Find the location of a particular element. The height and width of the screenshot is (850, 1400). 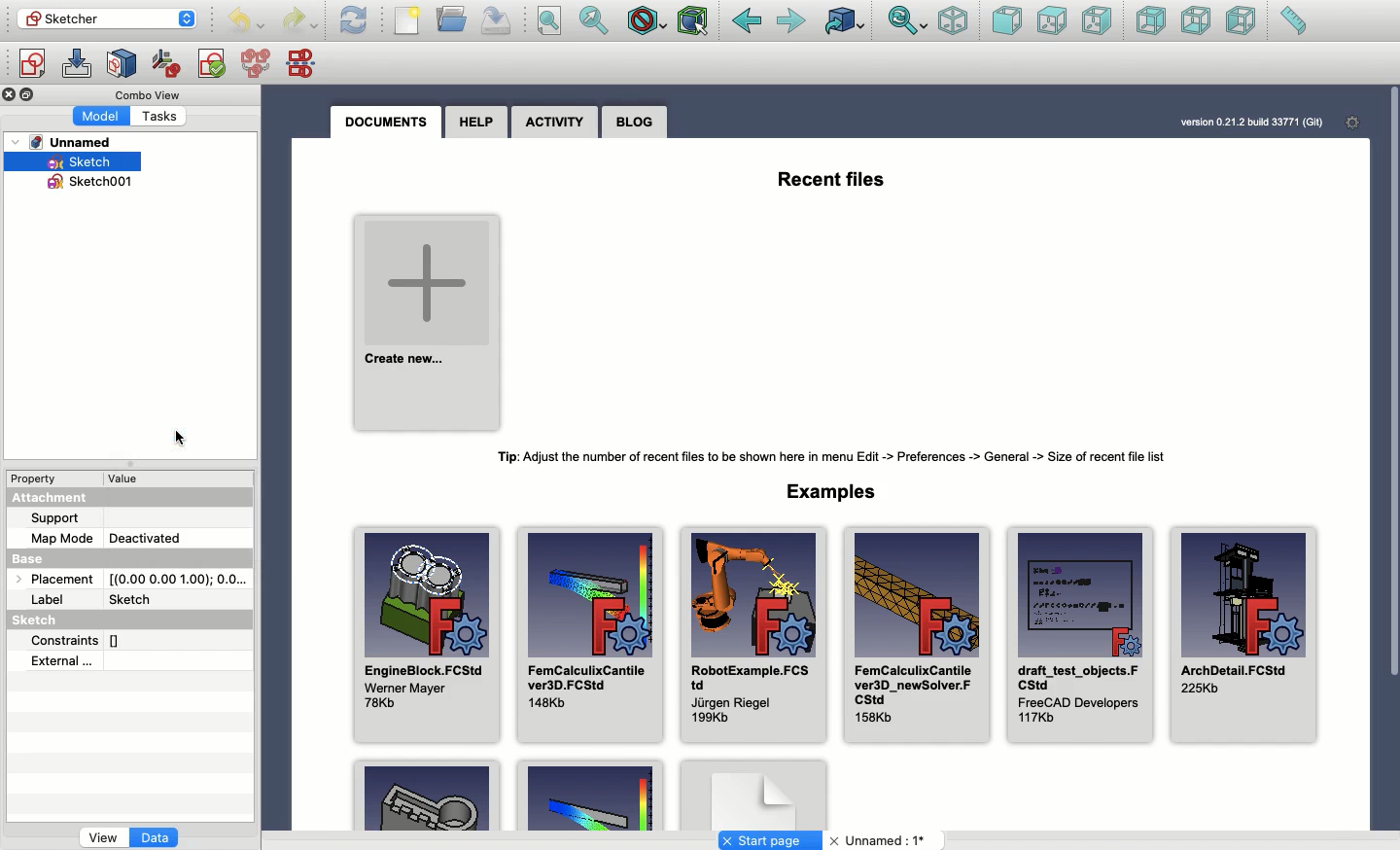

Version is located at coordinates (1238, 123).